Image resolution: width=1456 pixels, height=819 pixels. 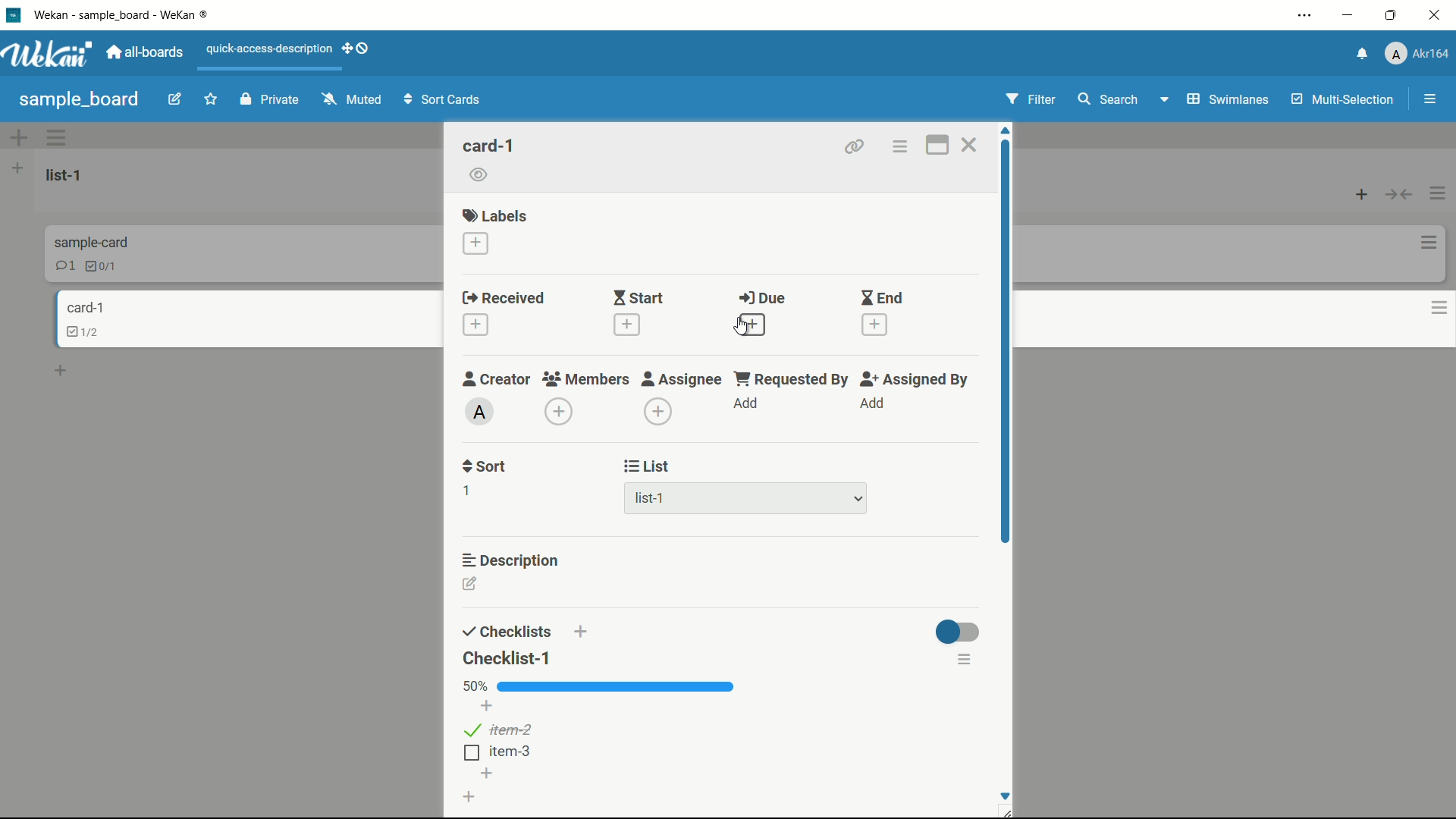 What do you see at coordinates (651, 499) in the screenshot?
I see `list-1` at bounding box center [651, 499].